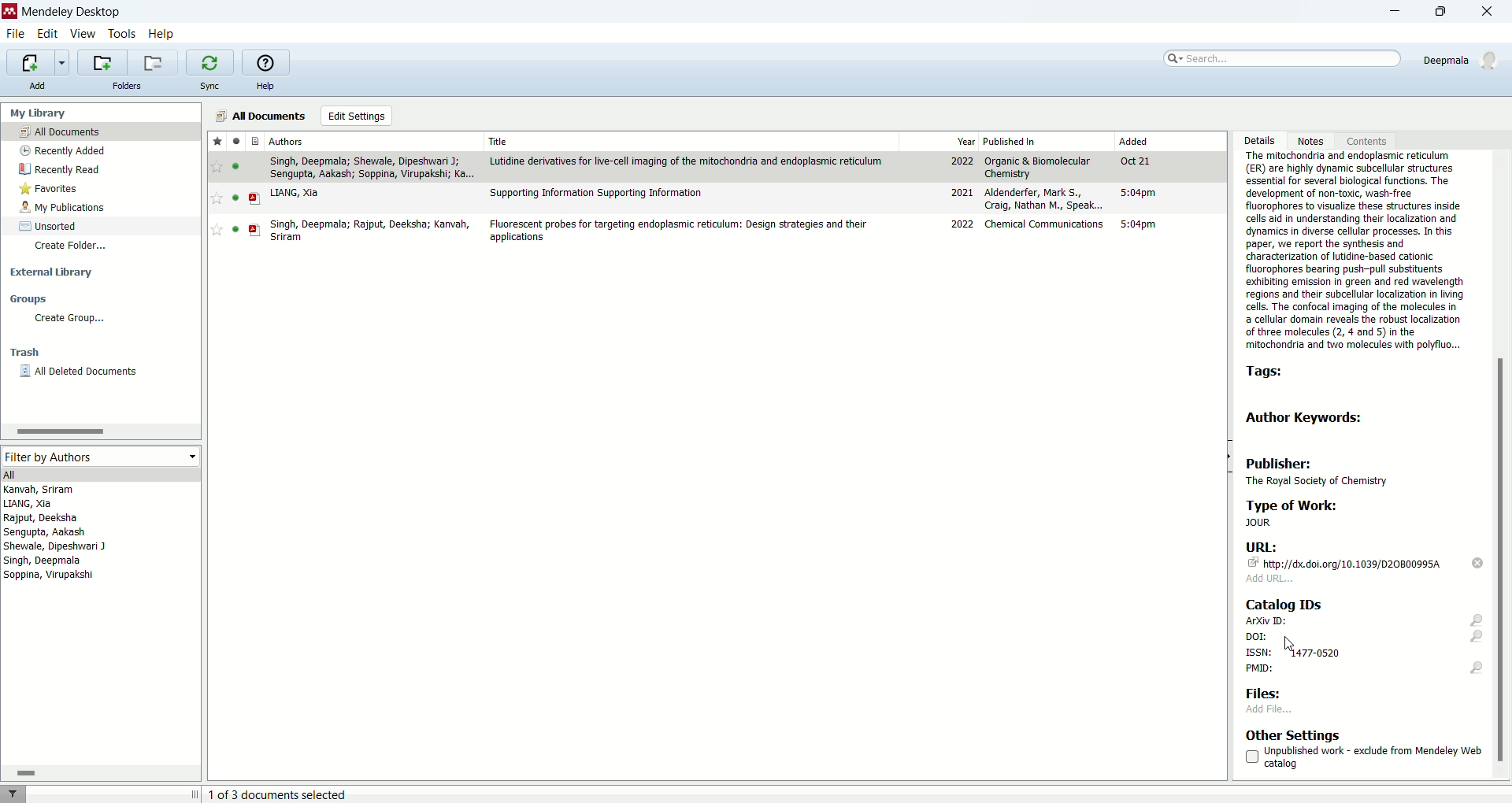  What do you see at coordinates (128, 86) in the screenshot?
I see `folders` at bounding box center [128, 86].